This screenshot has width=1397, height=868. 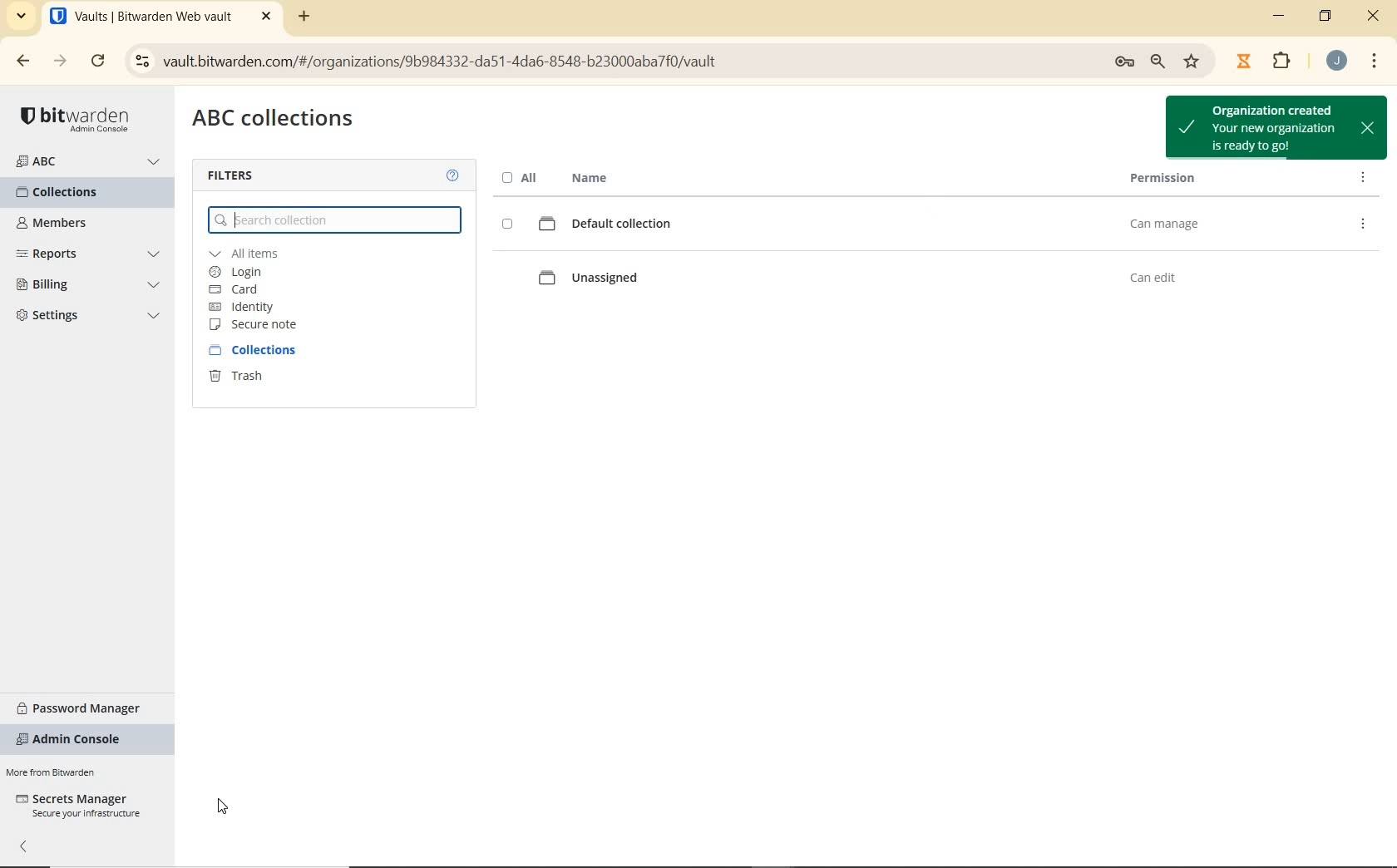 What do you see at coordinates (1279, 62) in the screenshot?
I see `extensions` at bounding box center [1279, 62].